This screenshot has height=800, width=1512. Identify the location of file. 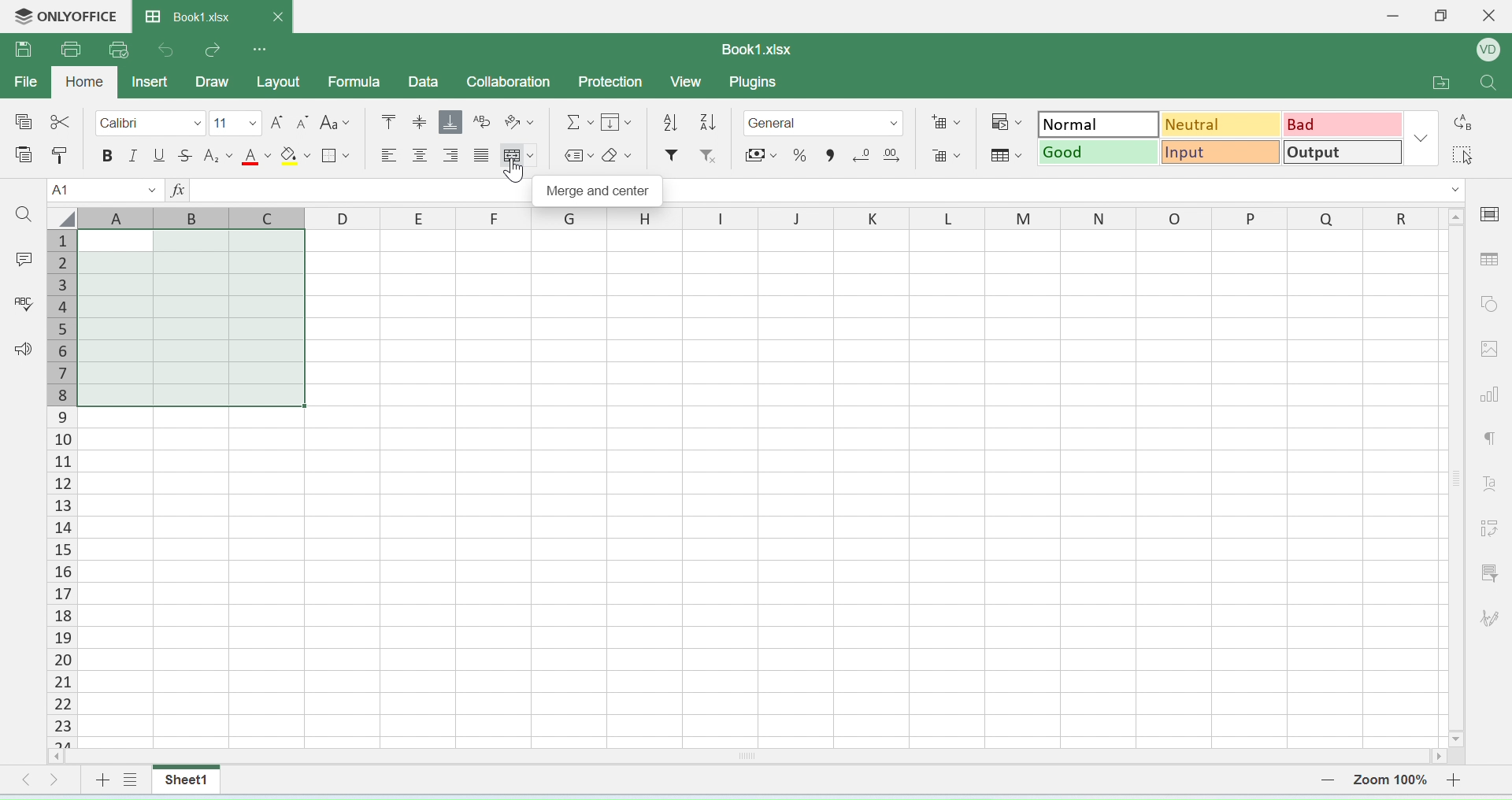
(29, 84).